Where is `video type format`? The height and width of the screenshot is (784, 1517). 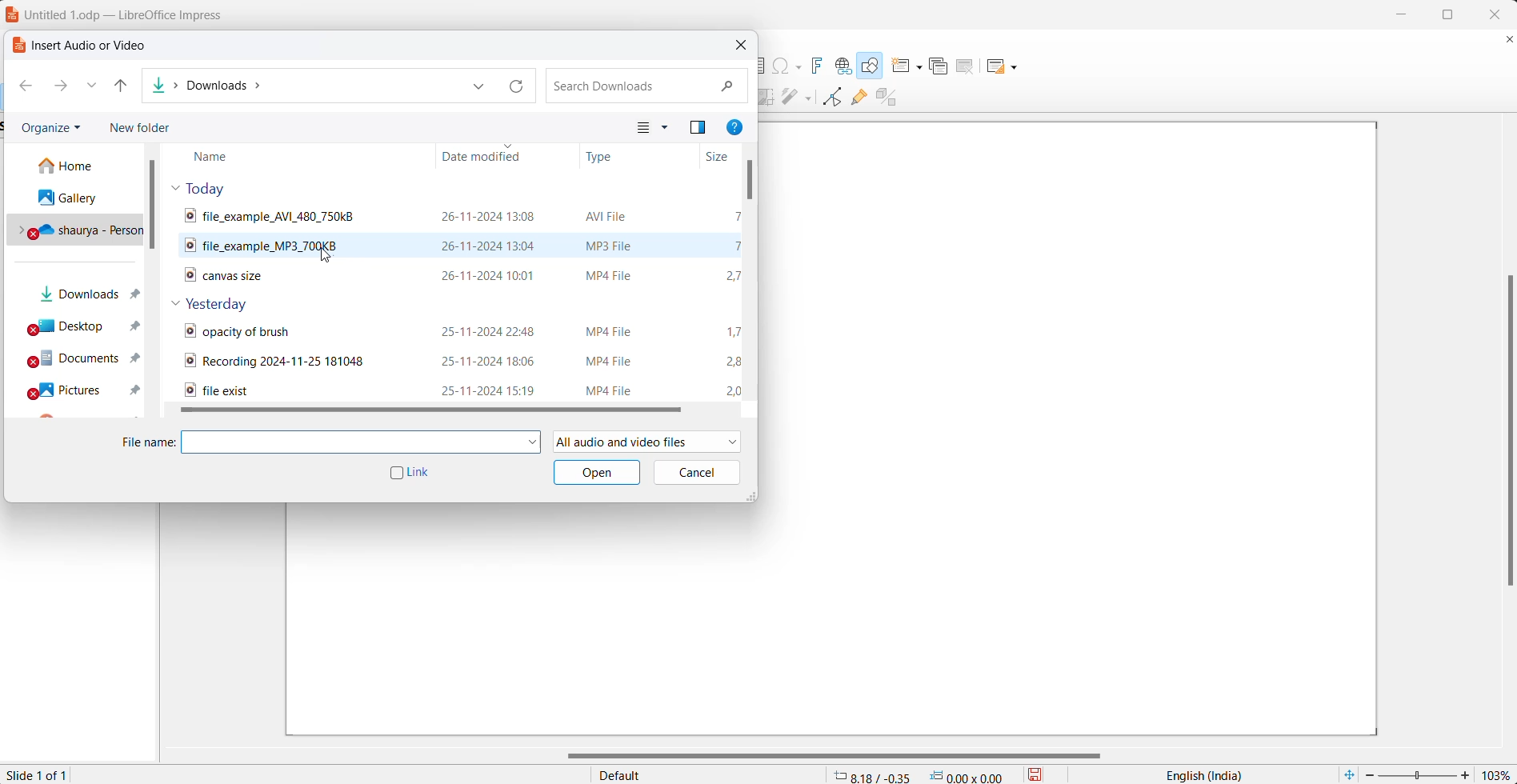
video type format is located at coordinates (614, 360).